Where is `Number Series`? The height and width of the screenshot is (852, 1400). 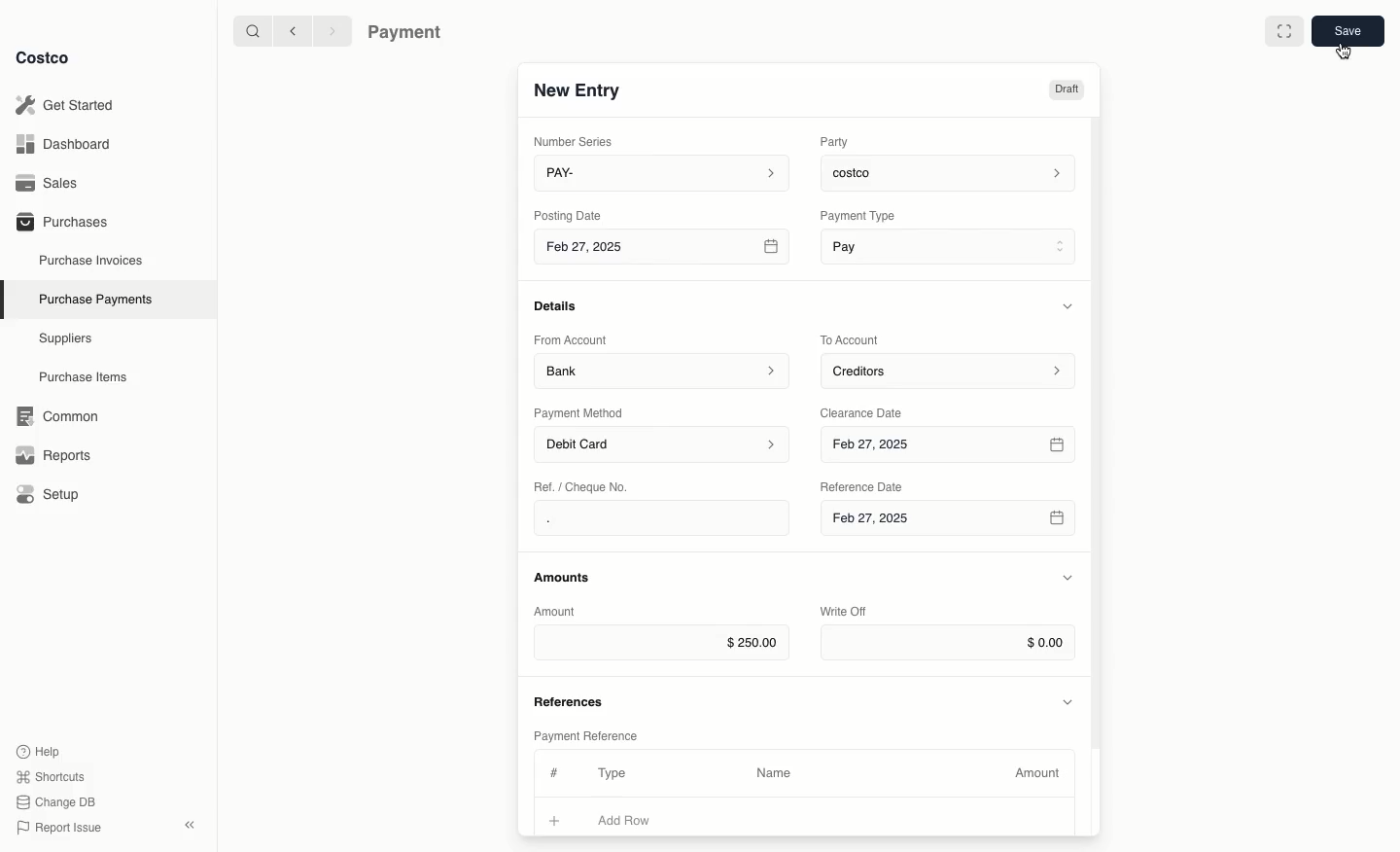
Number Series is located at coordinates (577, 141).